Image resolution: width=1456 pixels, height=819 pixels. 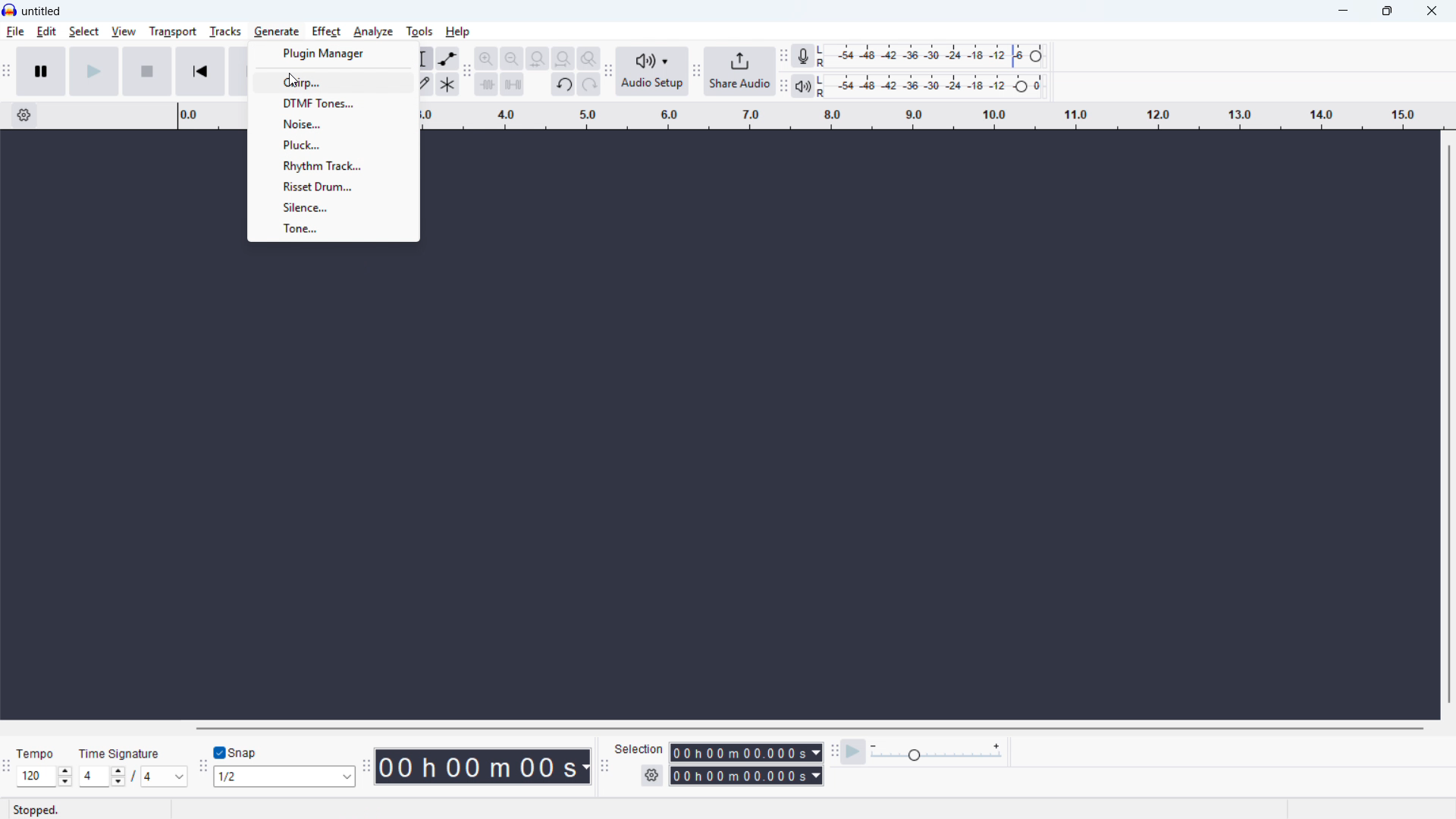 I want to click on select , so click(x=83, y=31).